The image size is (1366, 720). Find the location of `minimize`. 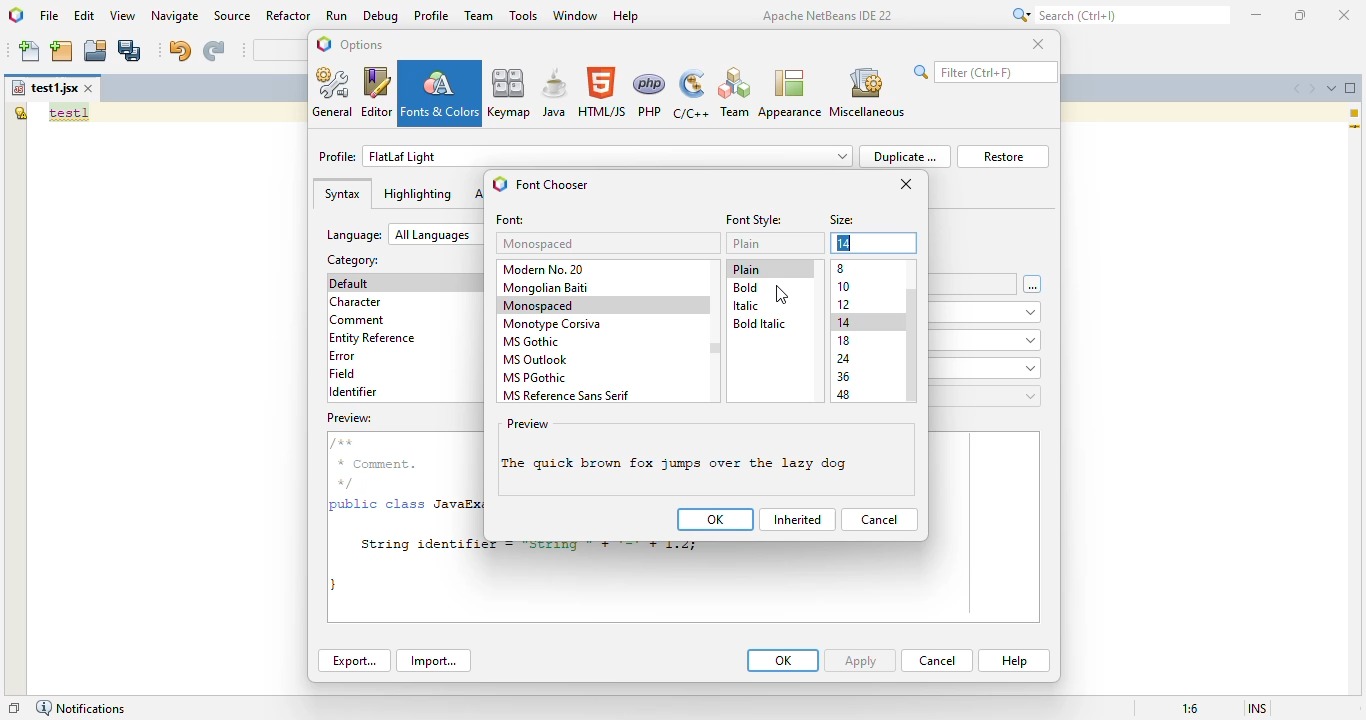

minimize is located at coordinates (1257, 14).